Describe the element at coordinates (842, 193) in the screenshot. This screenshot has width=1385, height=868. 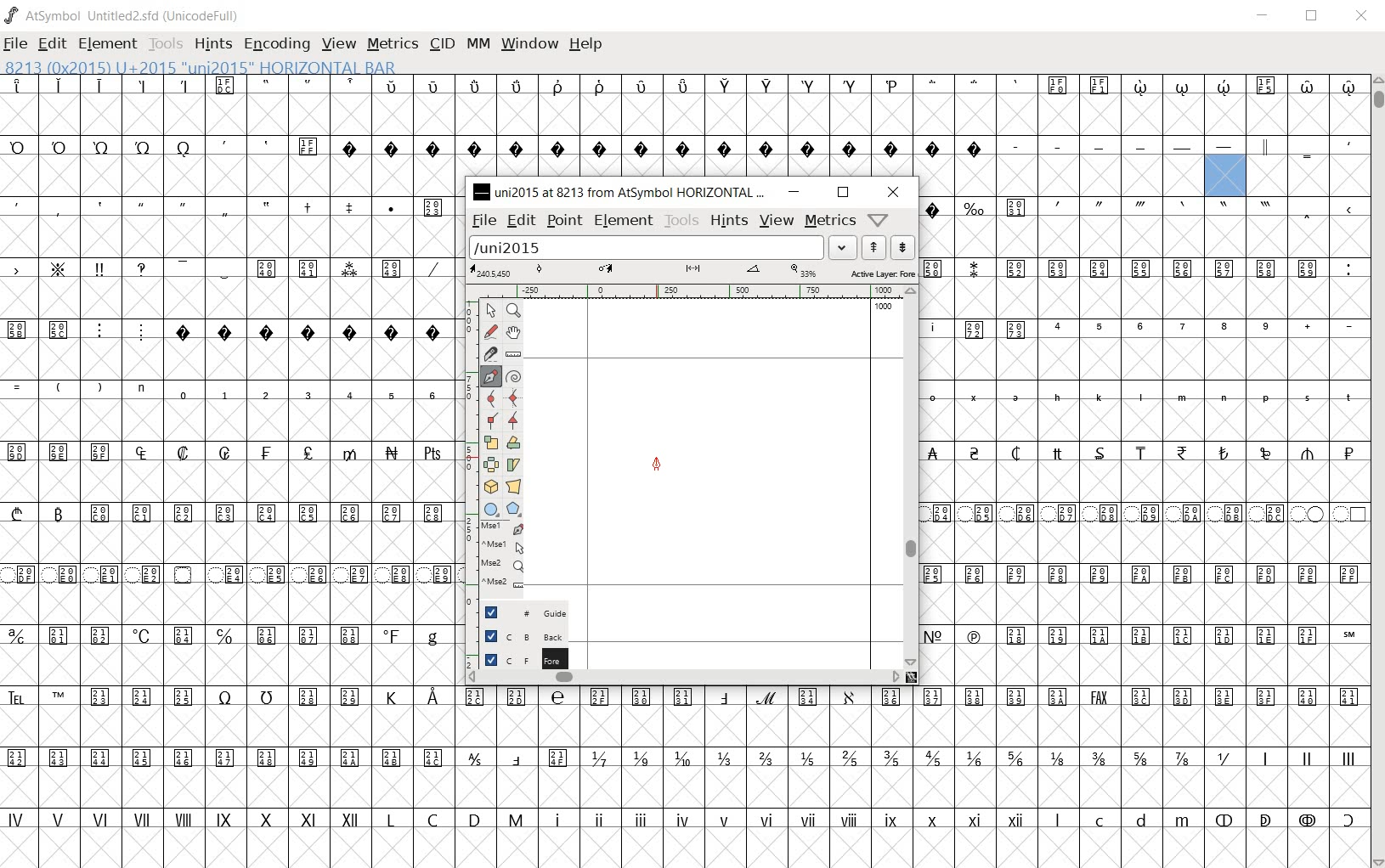
I see `restore down` at that location.